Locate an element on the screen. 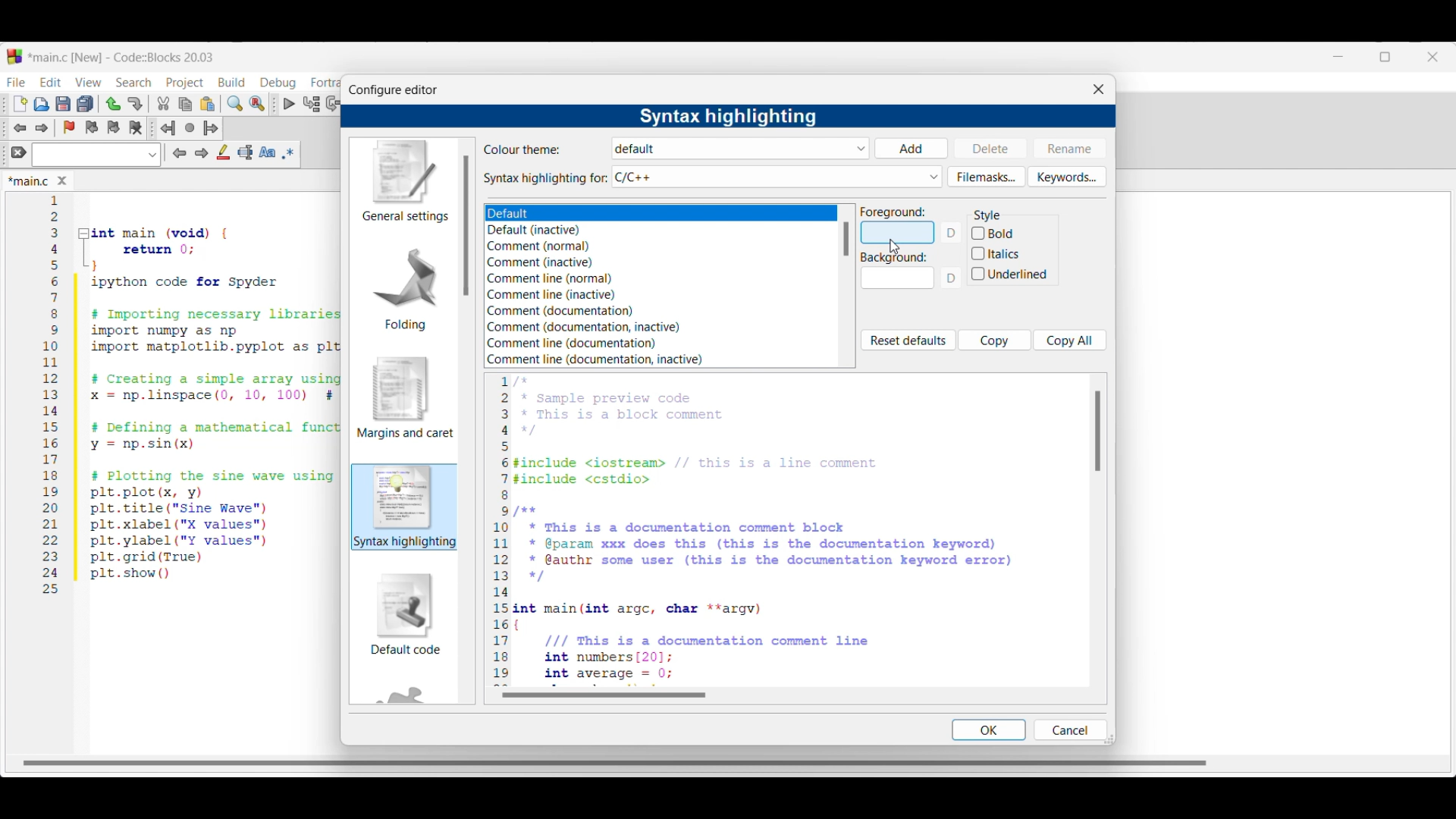  Margins and caret is located at coordinates (406, 397).